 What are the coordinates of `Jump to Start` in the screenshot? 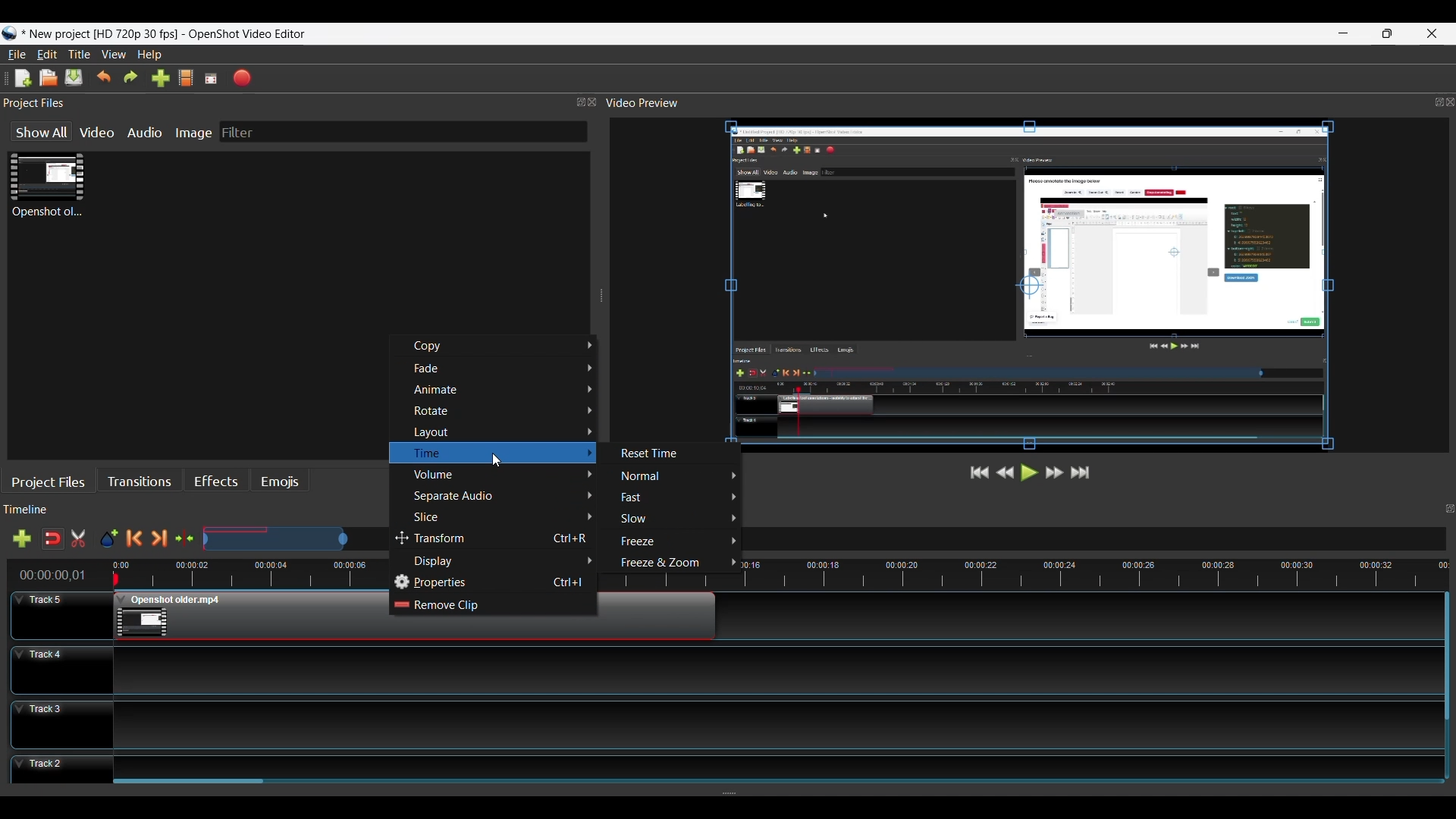 It's located at (977, 472).